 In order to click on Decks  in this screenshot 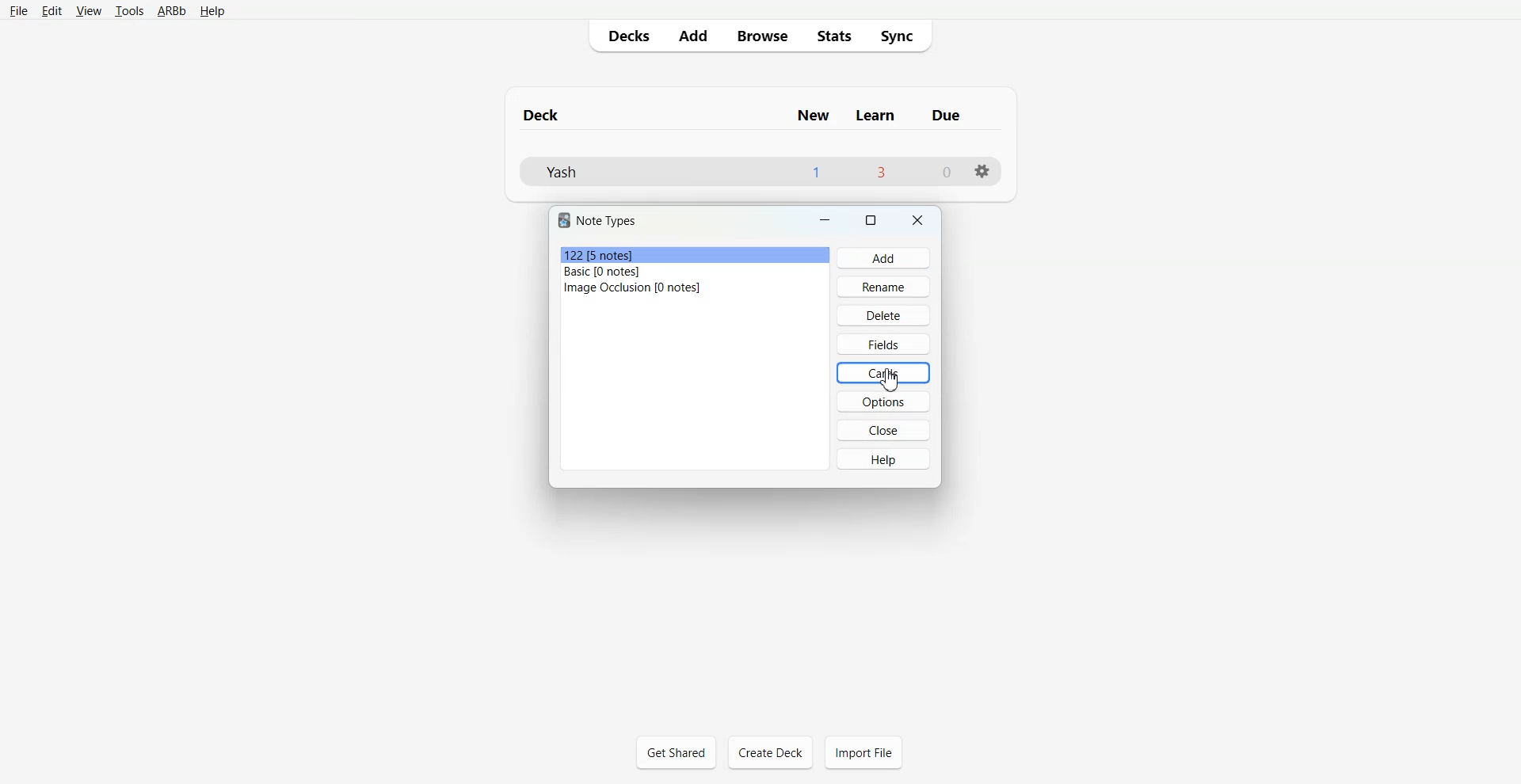, I will do `click(626, 35)`.